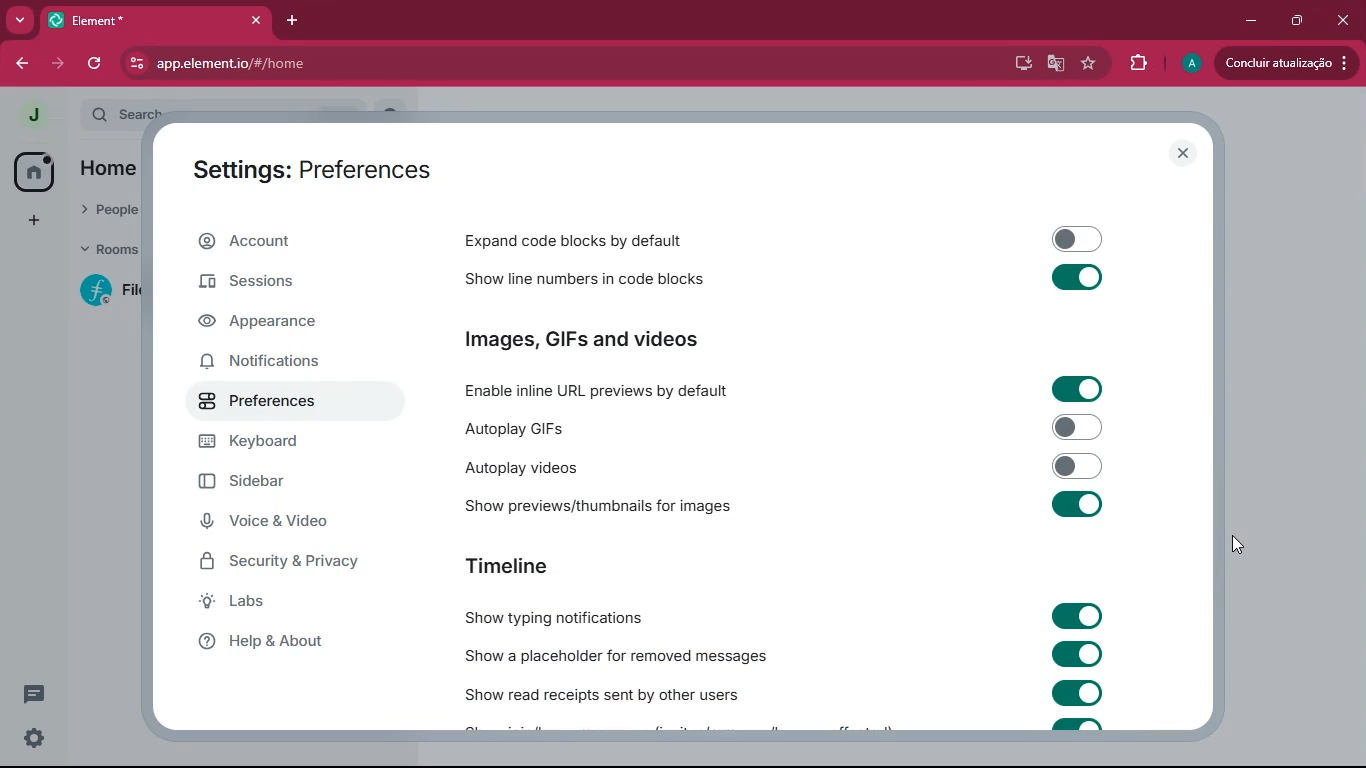 This screenshot has height=768, width=1366. Describe the element at coordinates (1299, 21) in the screenshot. I see `maximize` at that location.